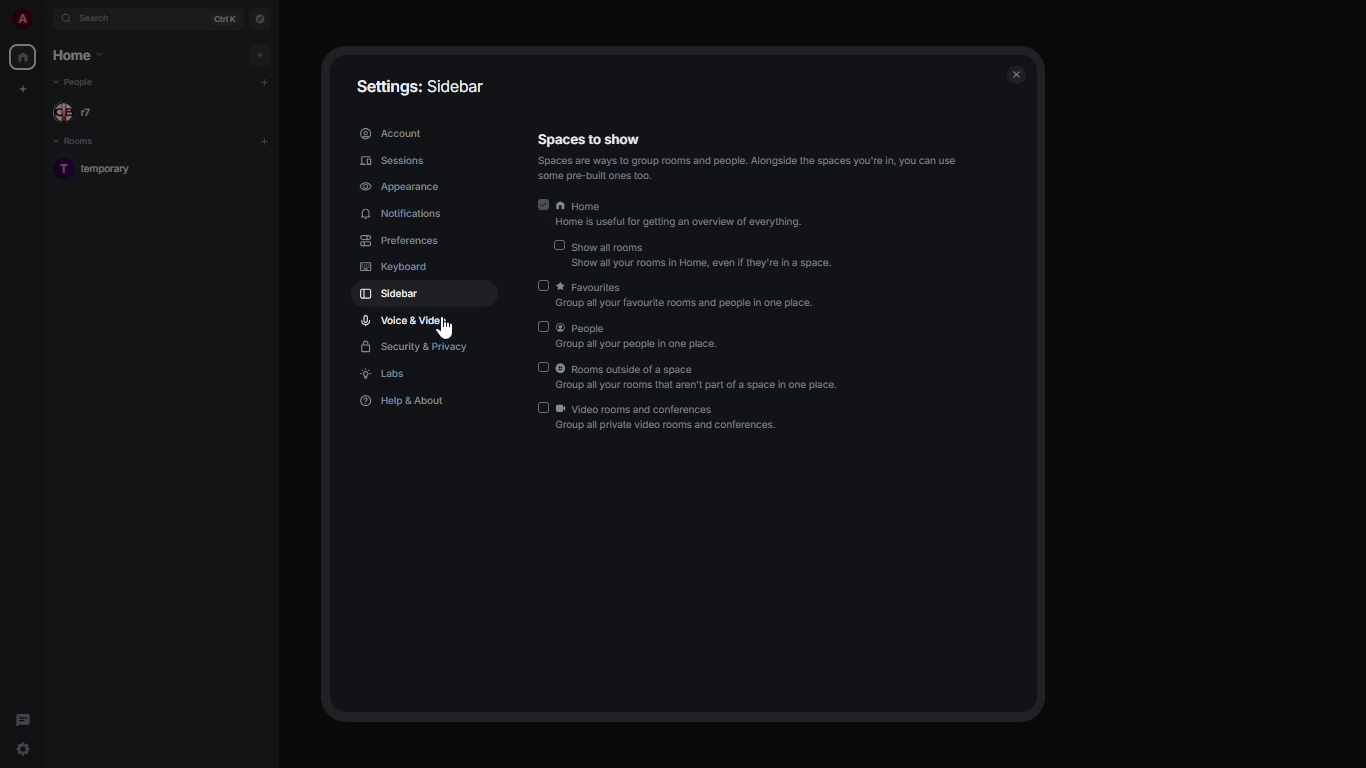 This screenshot has width=1366, height=768. I want to click on sidebar, so click(389, 293).